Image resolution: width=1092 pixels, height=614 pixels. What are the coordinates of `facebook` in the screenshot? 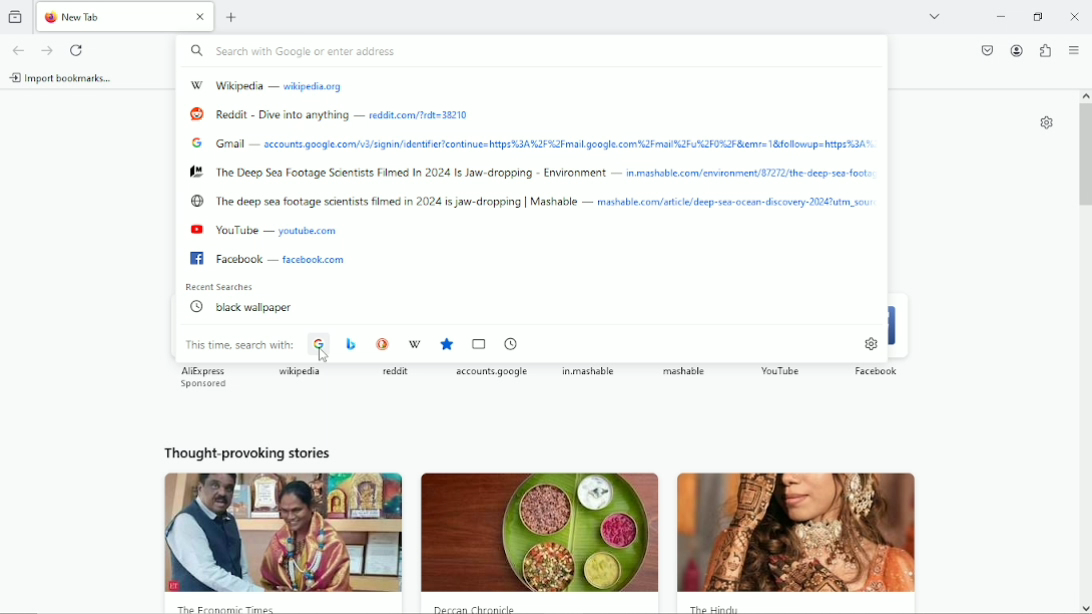 It's located at (875, 372).